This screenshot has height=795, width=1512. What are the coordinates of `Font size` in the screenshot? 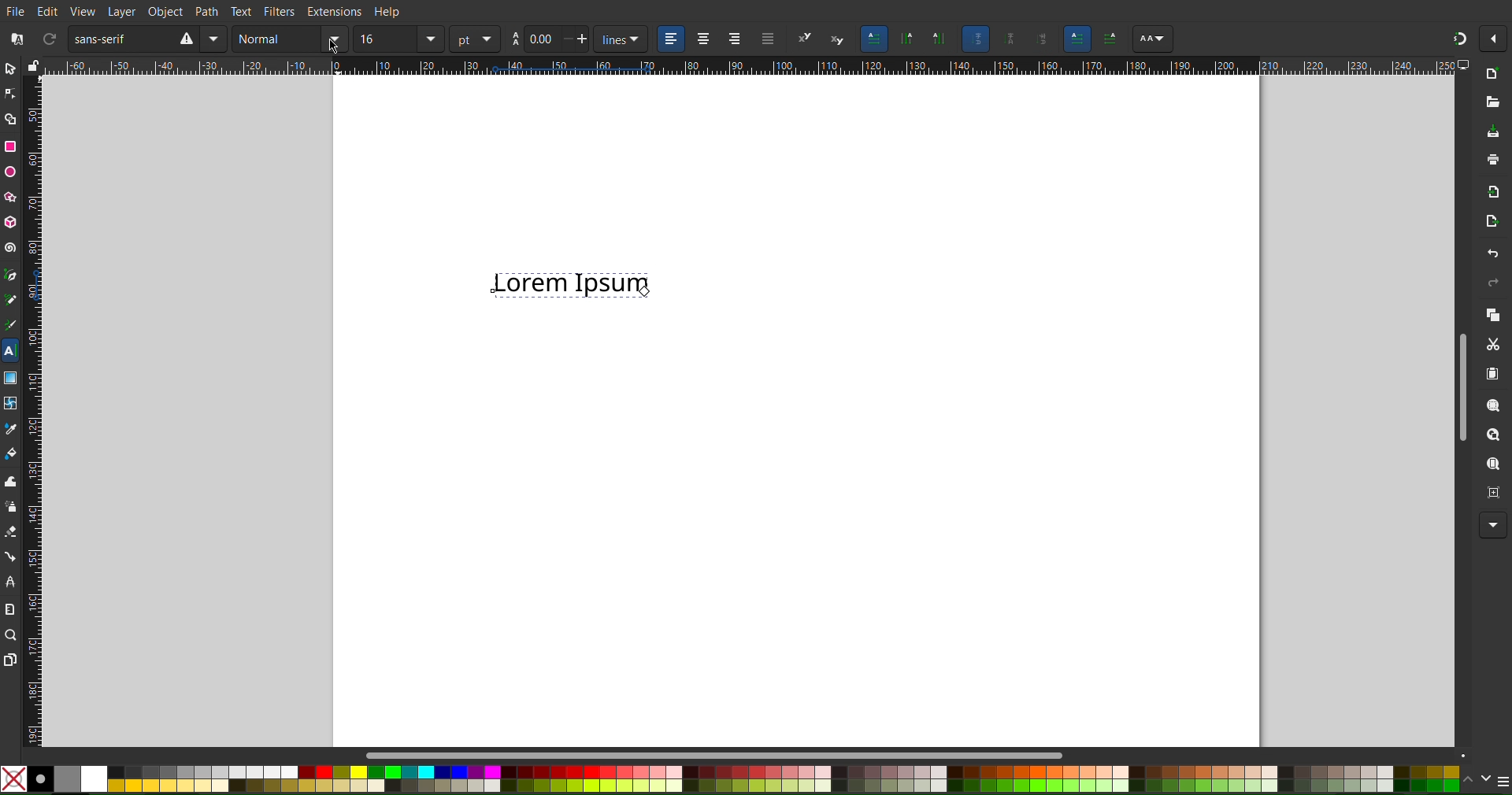 It's located at (398, 39).